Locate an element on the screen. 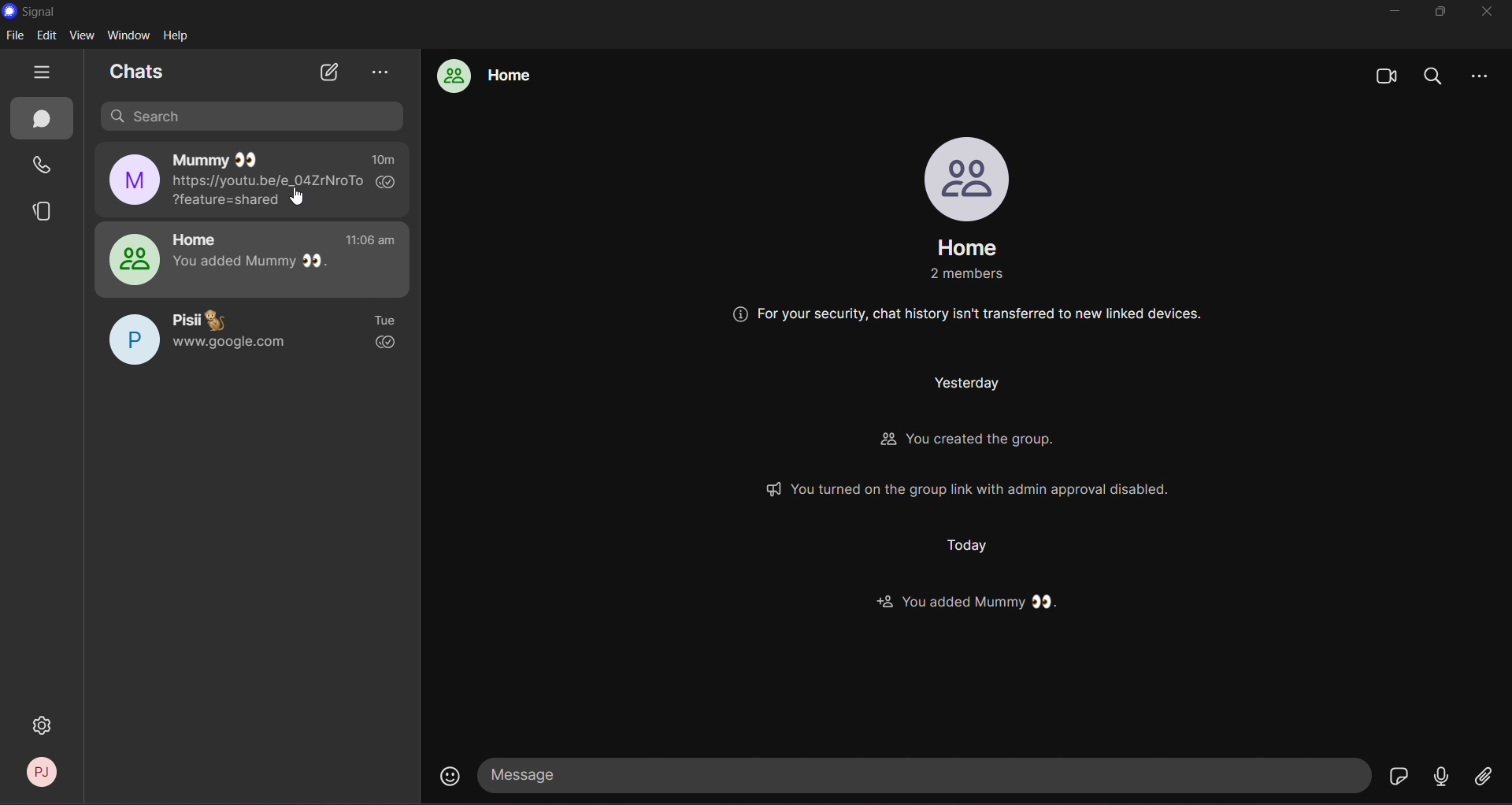  attachment is located at coordinates (1484, 779).